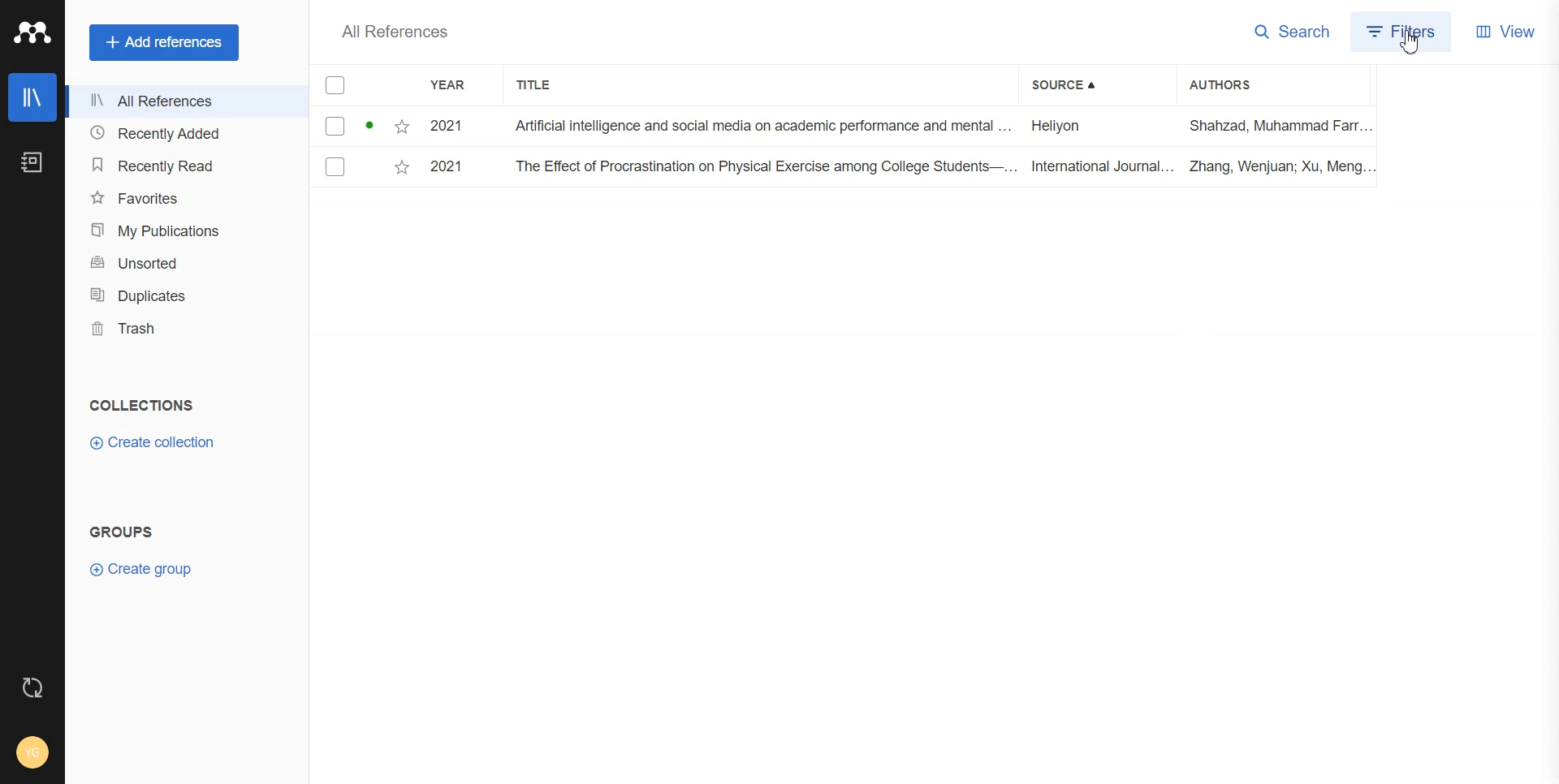 Image resolution: width=1559 pixels, height=784 pixels. I want to click on Starred, so click(404, 126).